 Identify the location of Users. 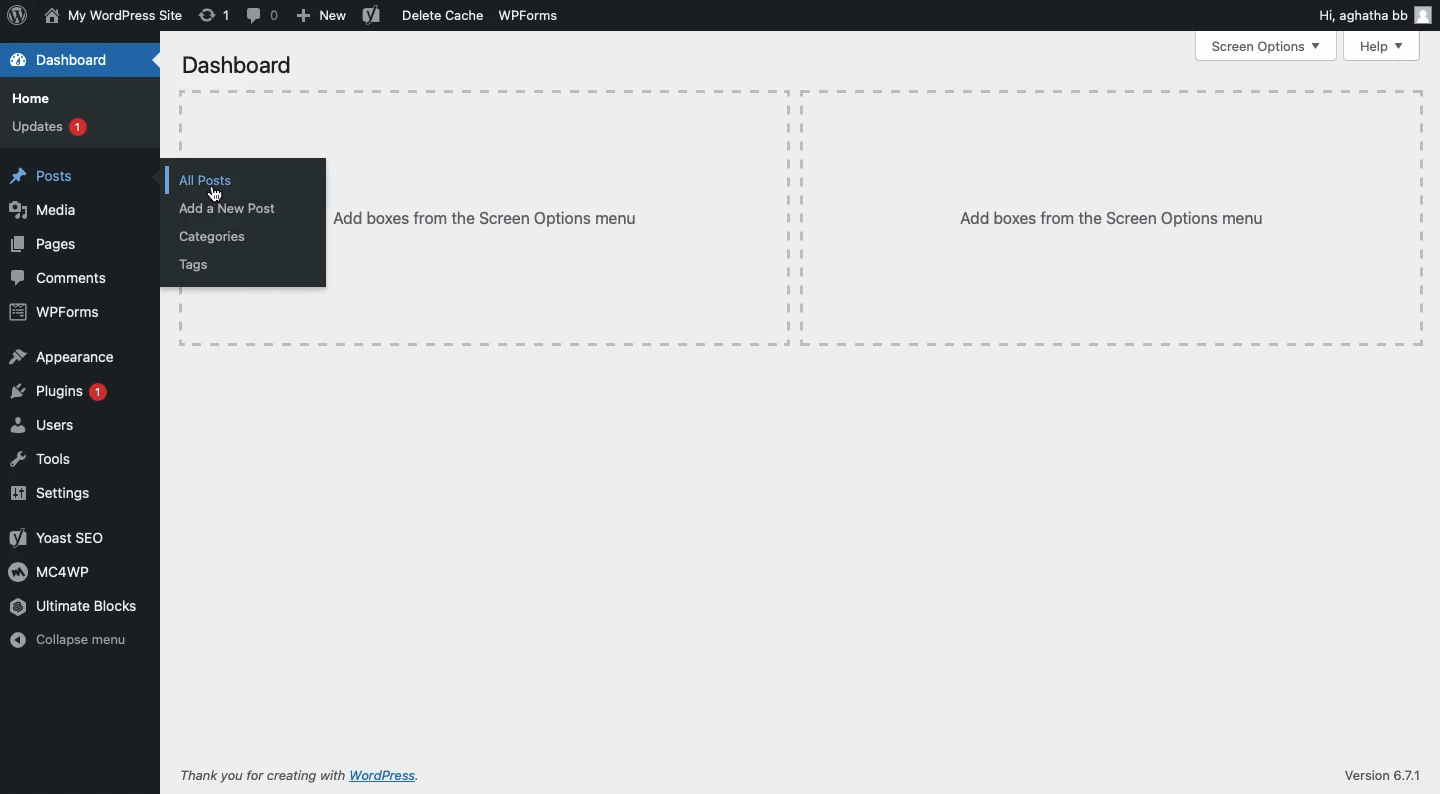
(47, 427).